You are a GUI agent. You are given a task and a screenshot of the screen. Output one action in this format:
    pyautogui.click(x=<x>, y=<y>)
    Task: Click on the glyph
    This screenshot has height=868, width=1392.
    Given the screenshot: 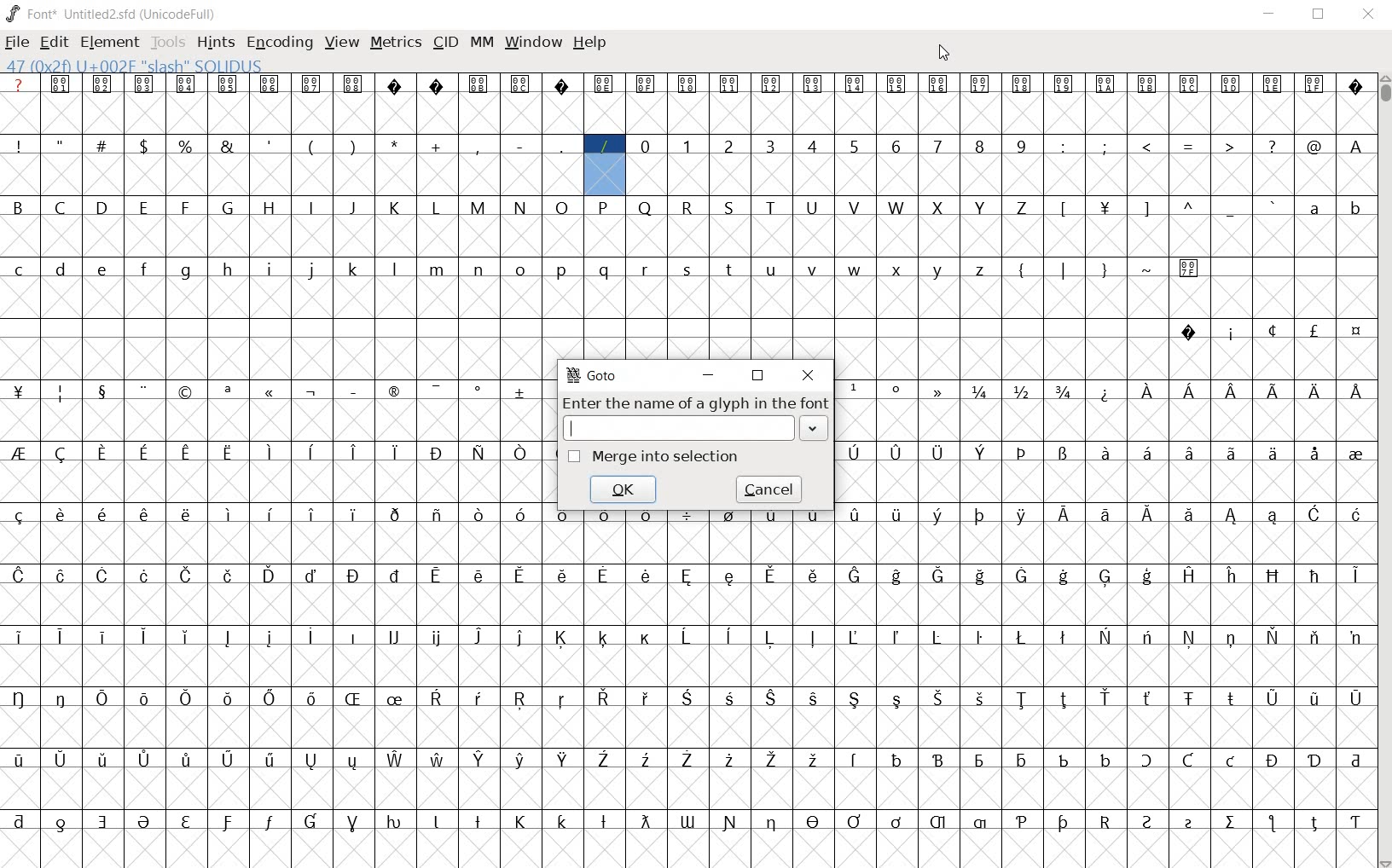 What is the action you would take?
    pyautogui.click(x=896, y=147)
    